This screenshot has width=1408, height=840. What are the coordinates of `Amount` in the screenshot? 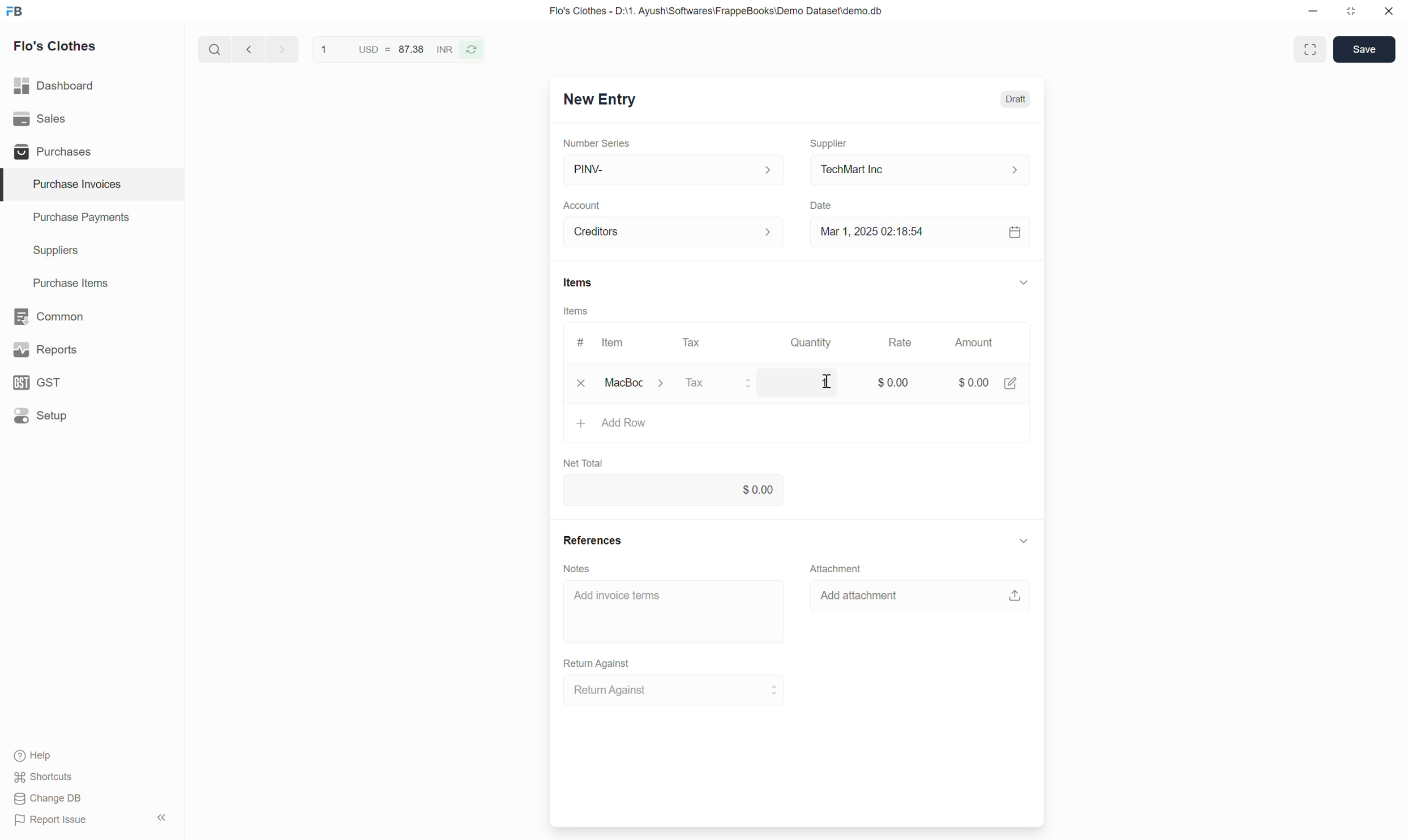 It's located at (978, 342).